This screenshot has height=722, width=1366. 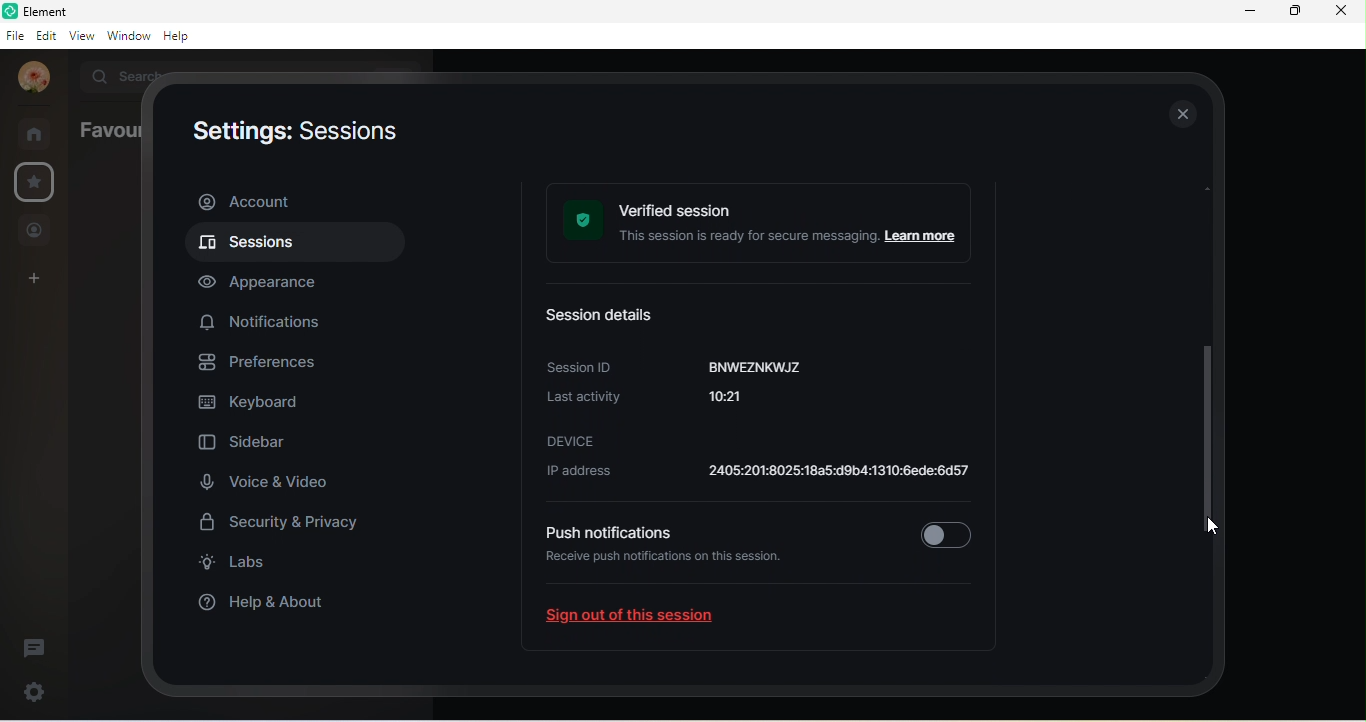 What do you see at coordinates (765, 225) in the screenshot?
I see `verified session` at bounding box center [765, 225].